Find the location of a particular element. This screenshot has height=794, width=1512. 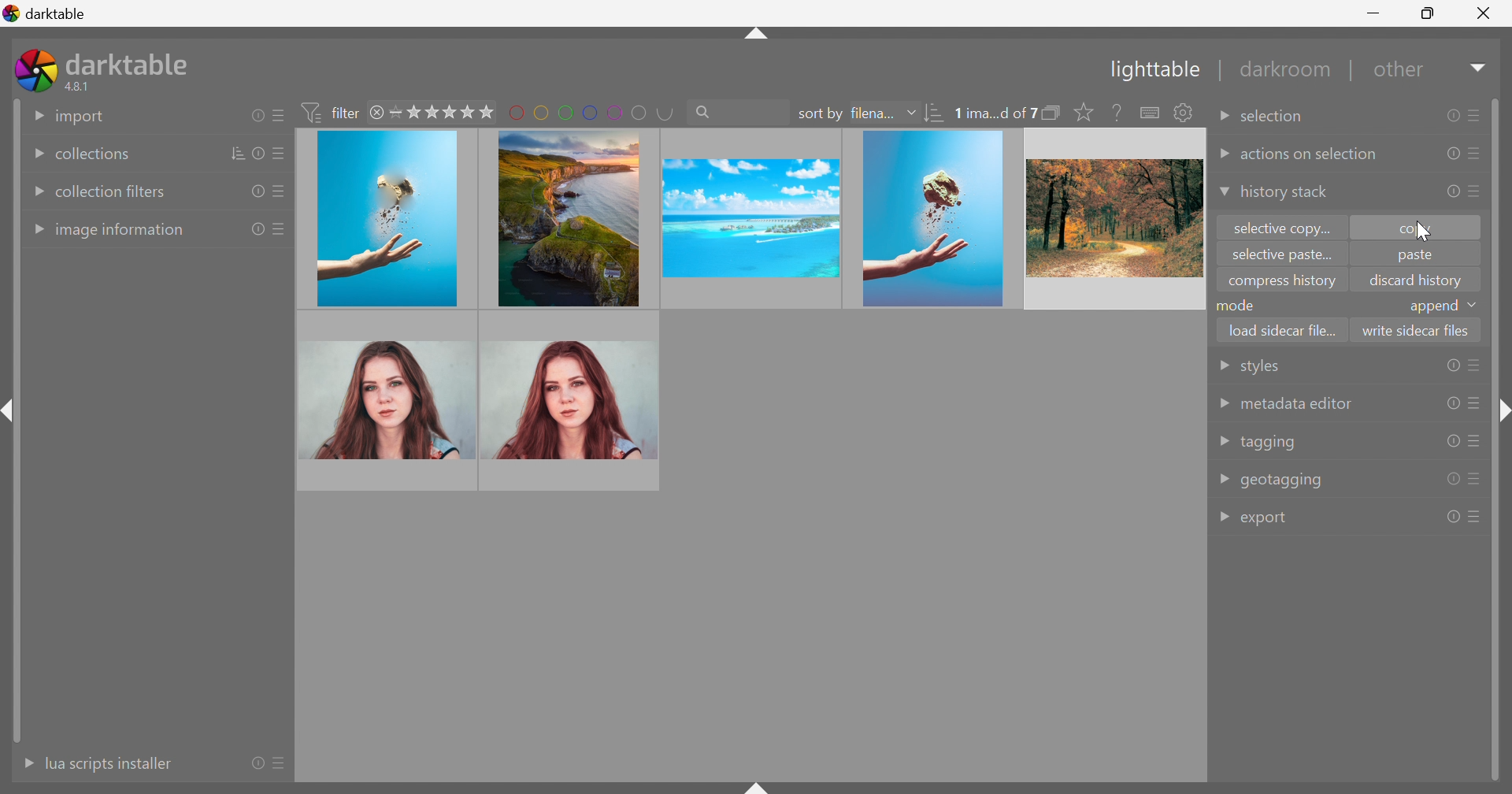

Drop Down is located at coordinates (31, 155).